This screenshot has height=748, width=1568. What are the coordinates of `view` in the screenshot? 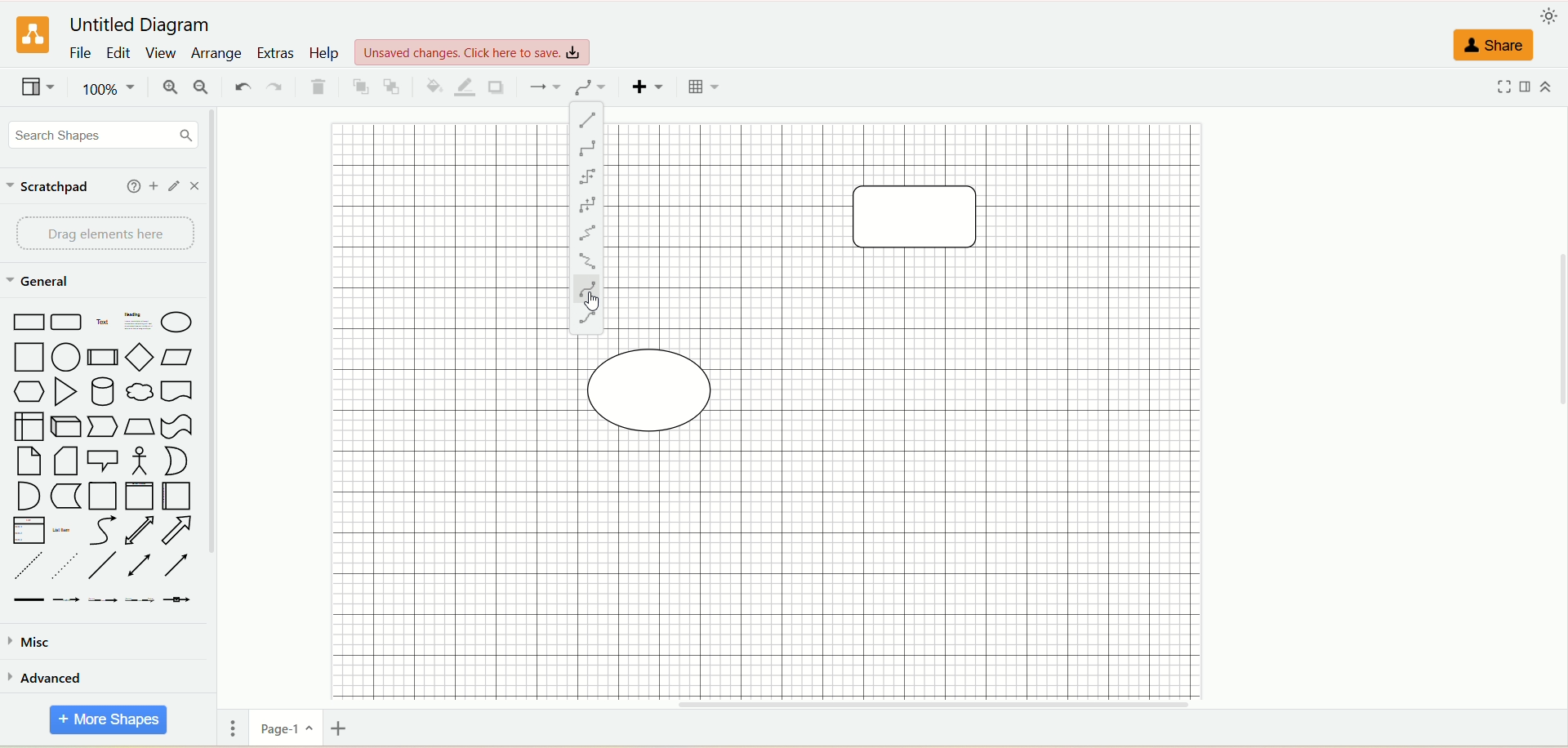 It's located at (159, 54).